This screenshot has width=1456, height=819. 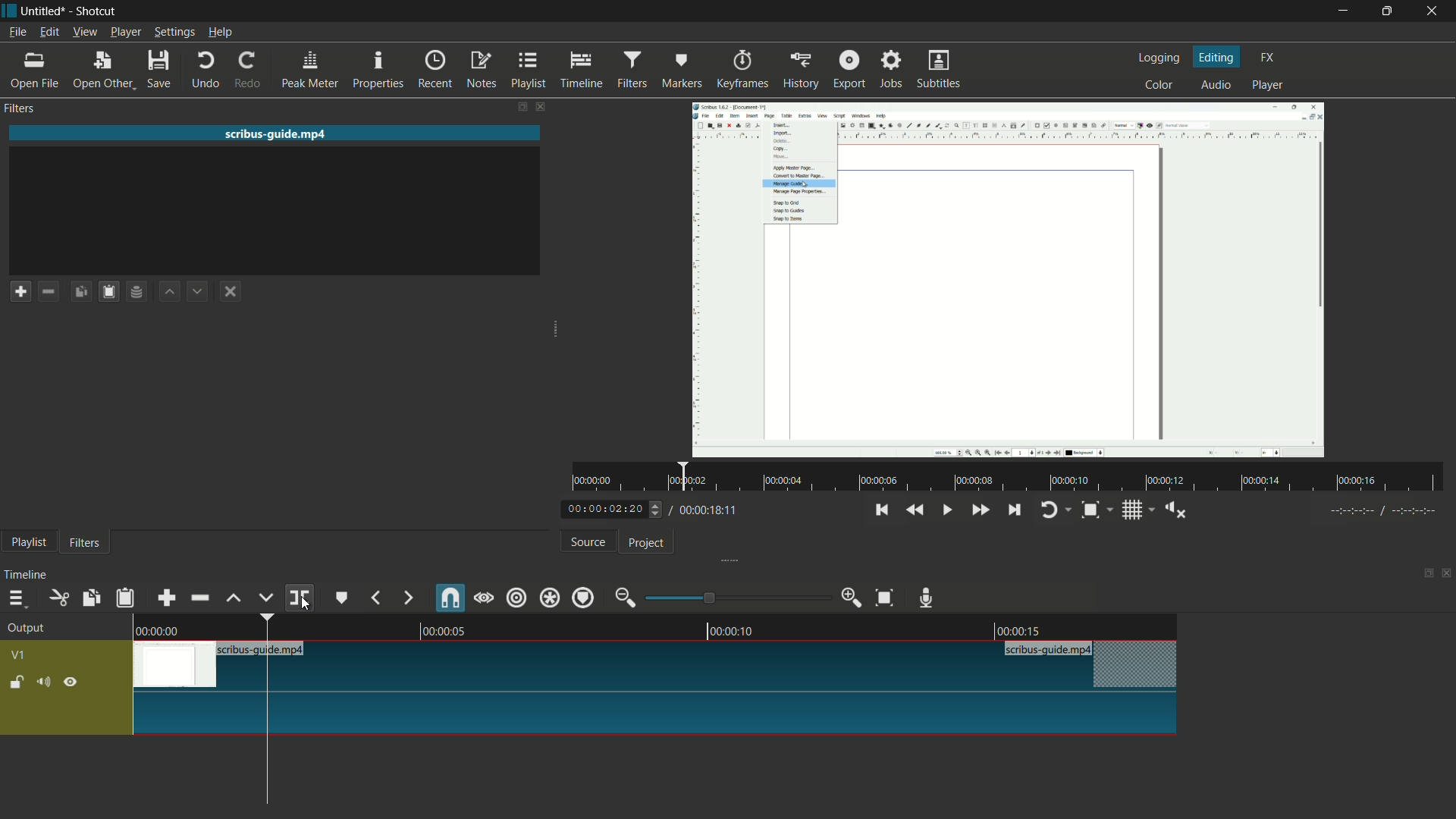 What do you see at coordinates (20, 291) in the screenshot?
I see `add a filter` at bounding box center [20, 291].